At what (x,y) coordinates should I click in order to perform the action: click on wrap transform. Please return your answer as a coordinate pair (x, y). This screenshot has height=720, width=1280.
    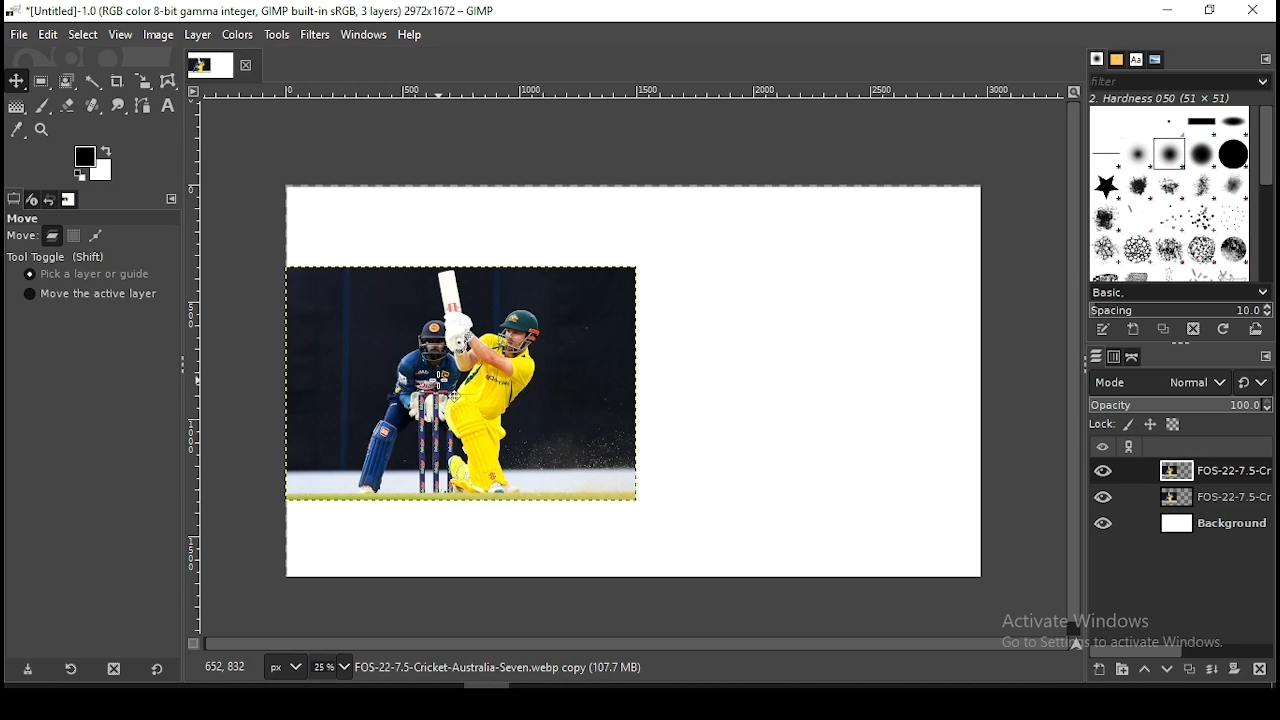
    Looking at the image, I should click on (168, 81).